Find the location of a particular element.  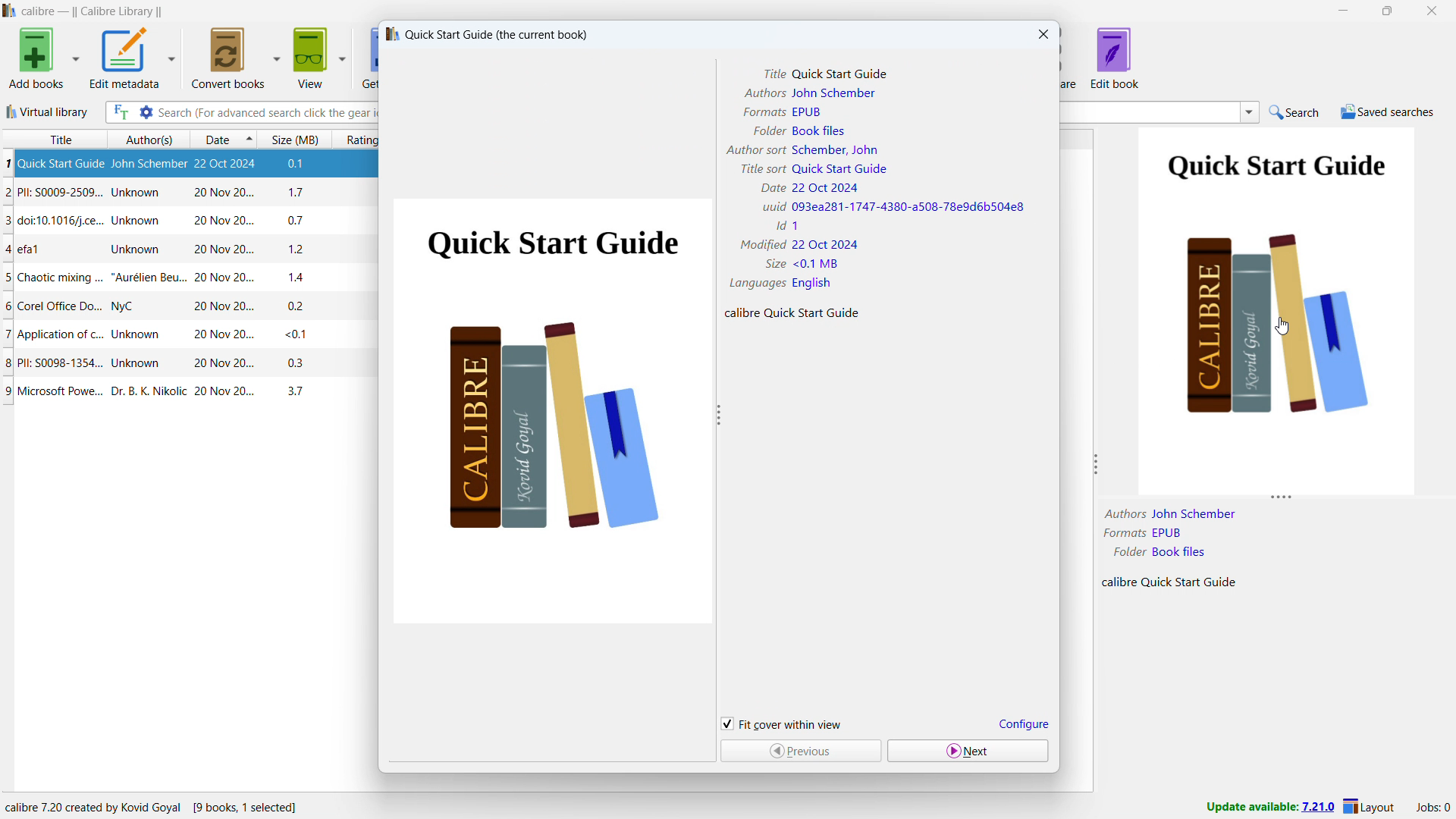

Book file is located at coordinates (820, 130).